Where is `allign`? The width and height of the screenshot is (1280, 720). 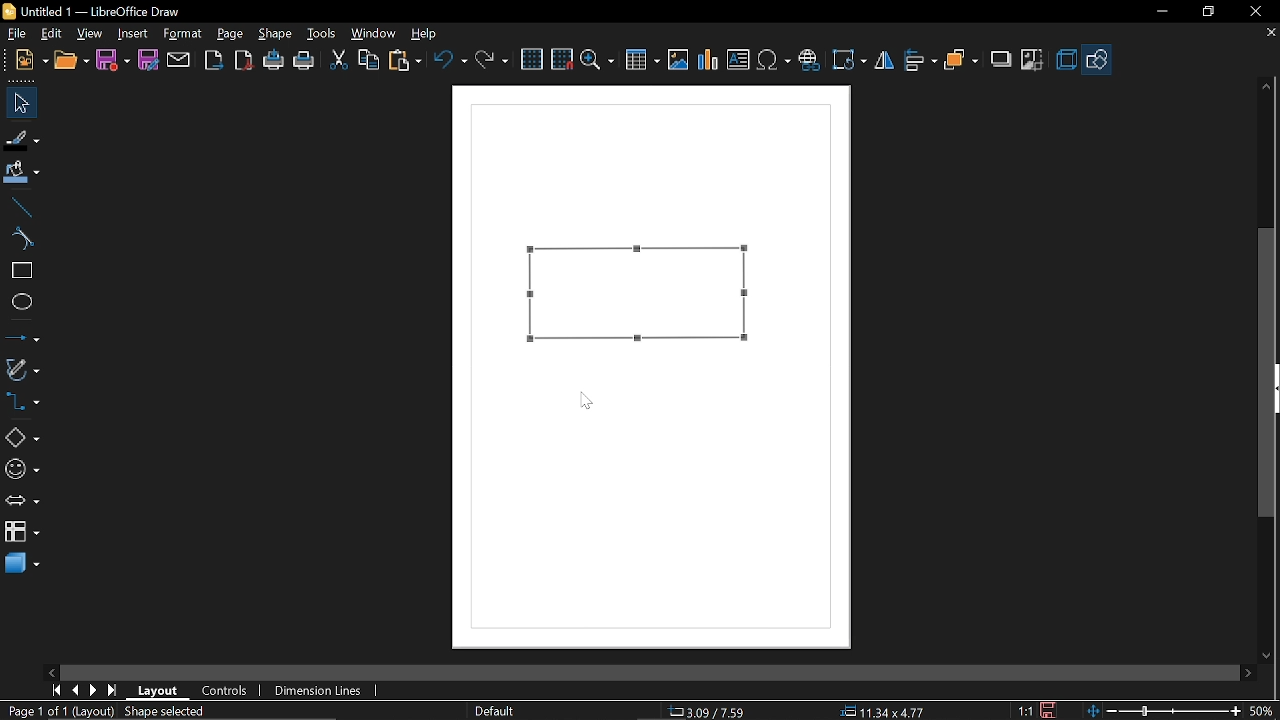
allign is located at coordinates (919, 61).